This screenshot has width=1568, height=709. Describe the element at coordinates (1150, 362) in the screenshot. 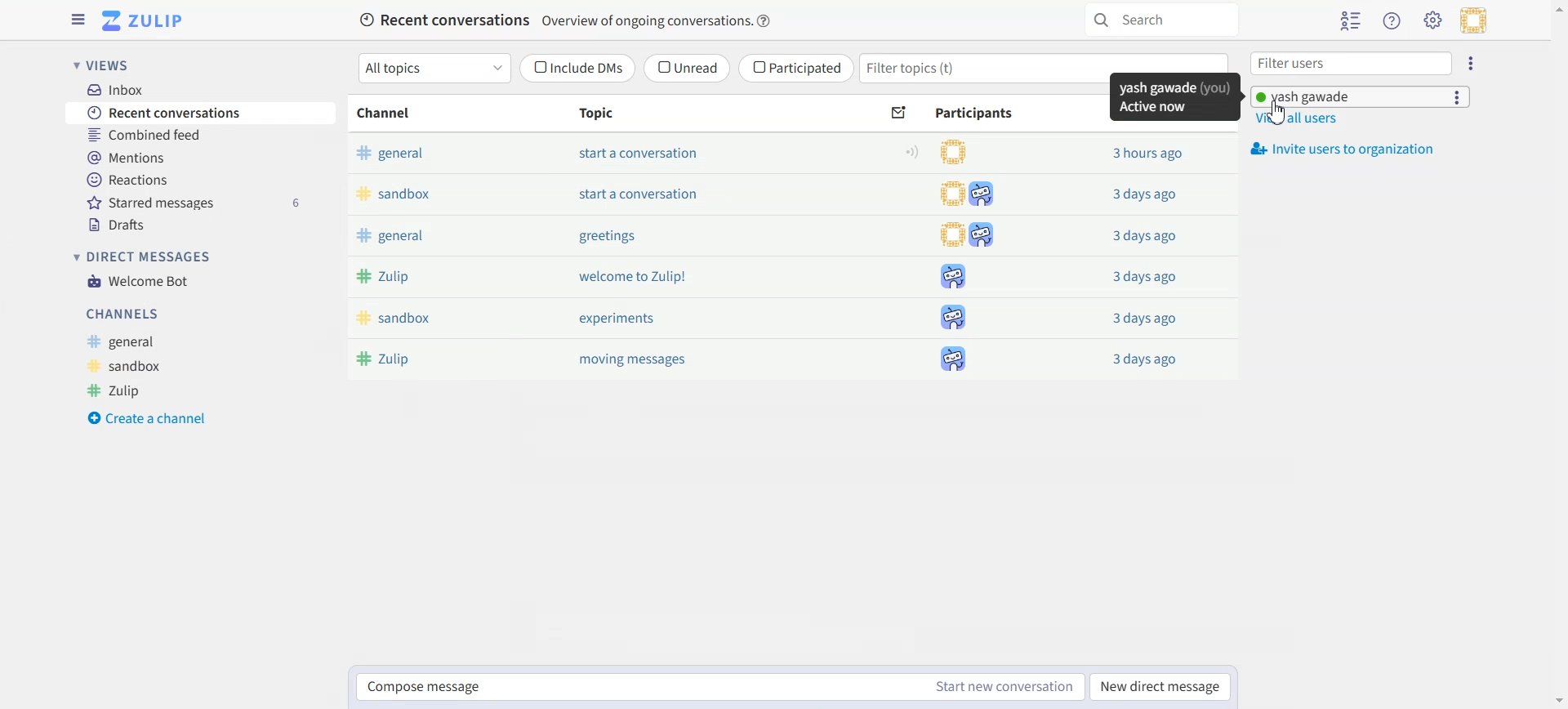

I see `3 days ago` at that location.